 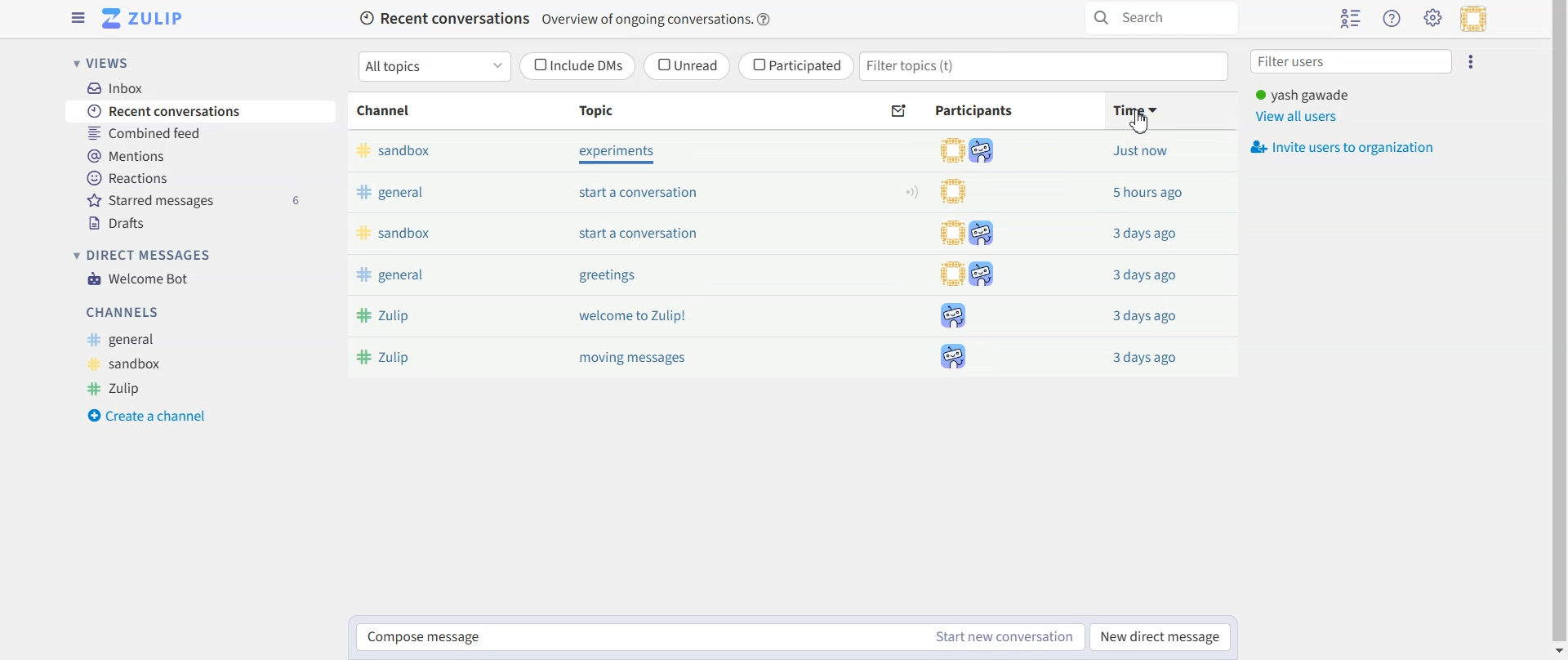 I want to click on participants, so click(x=946, y=314).